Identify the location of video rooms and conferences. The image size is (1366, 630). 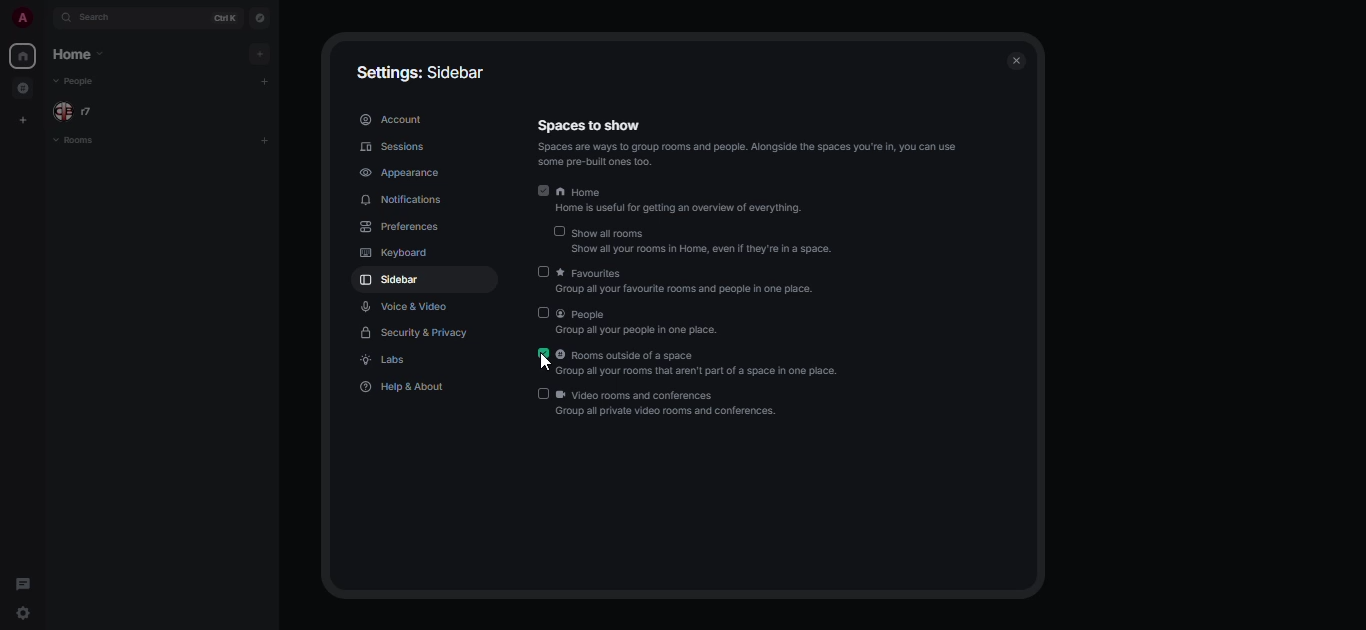
(669, 403).